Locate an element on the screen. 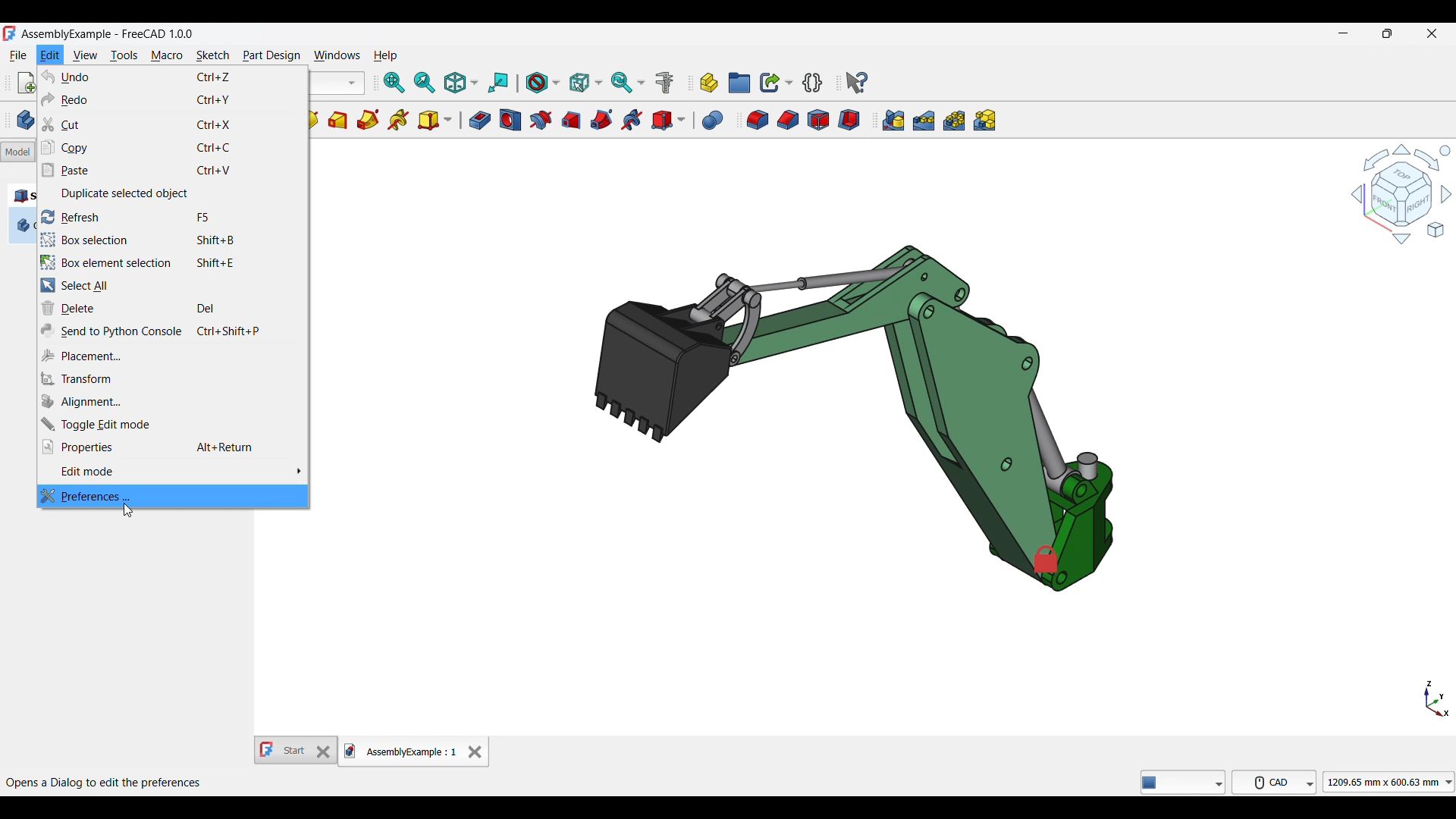  Opens a Dialog to edit the preferences is located at coordinates (106, 781).